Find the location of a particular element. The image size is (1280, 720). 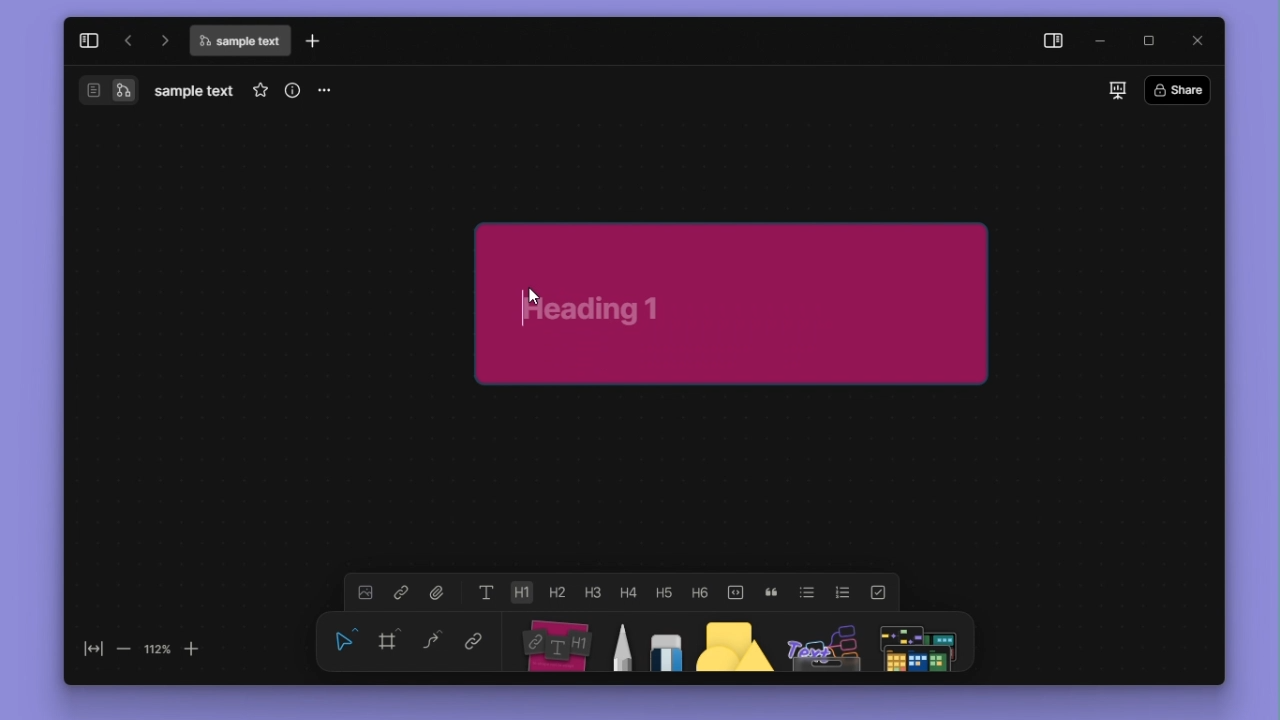

Heading 1 is located at coordinates (521, 592).